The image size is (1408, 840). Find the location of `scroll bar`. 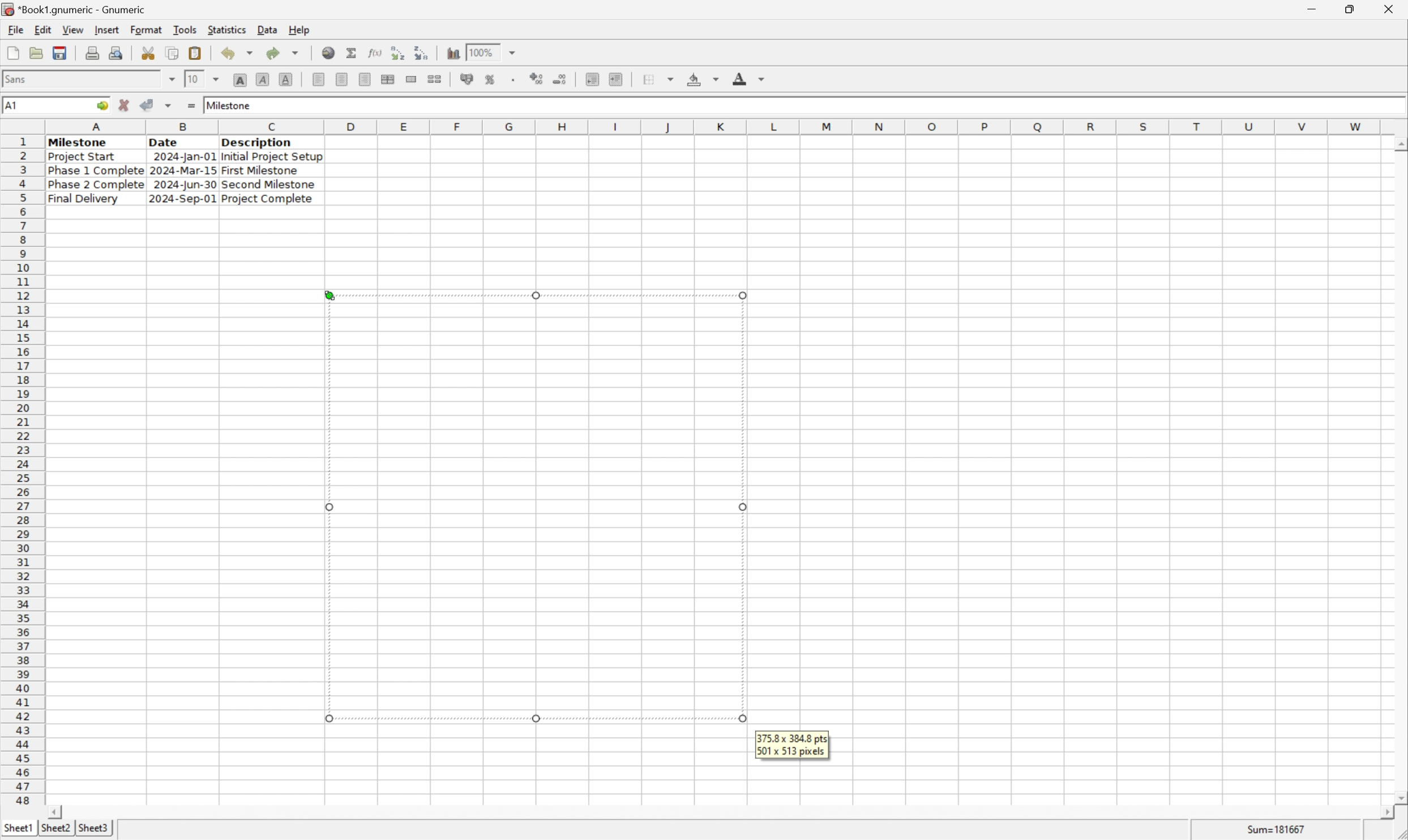

scroll bar is located at coordinates (1399, 470).